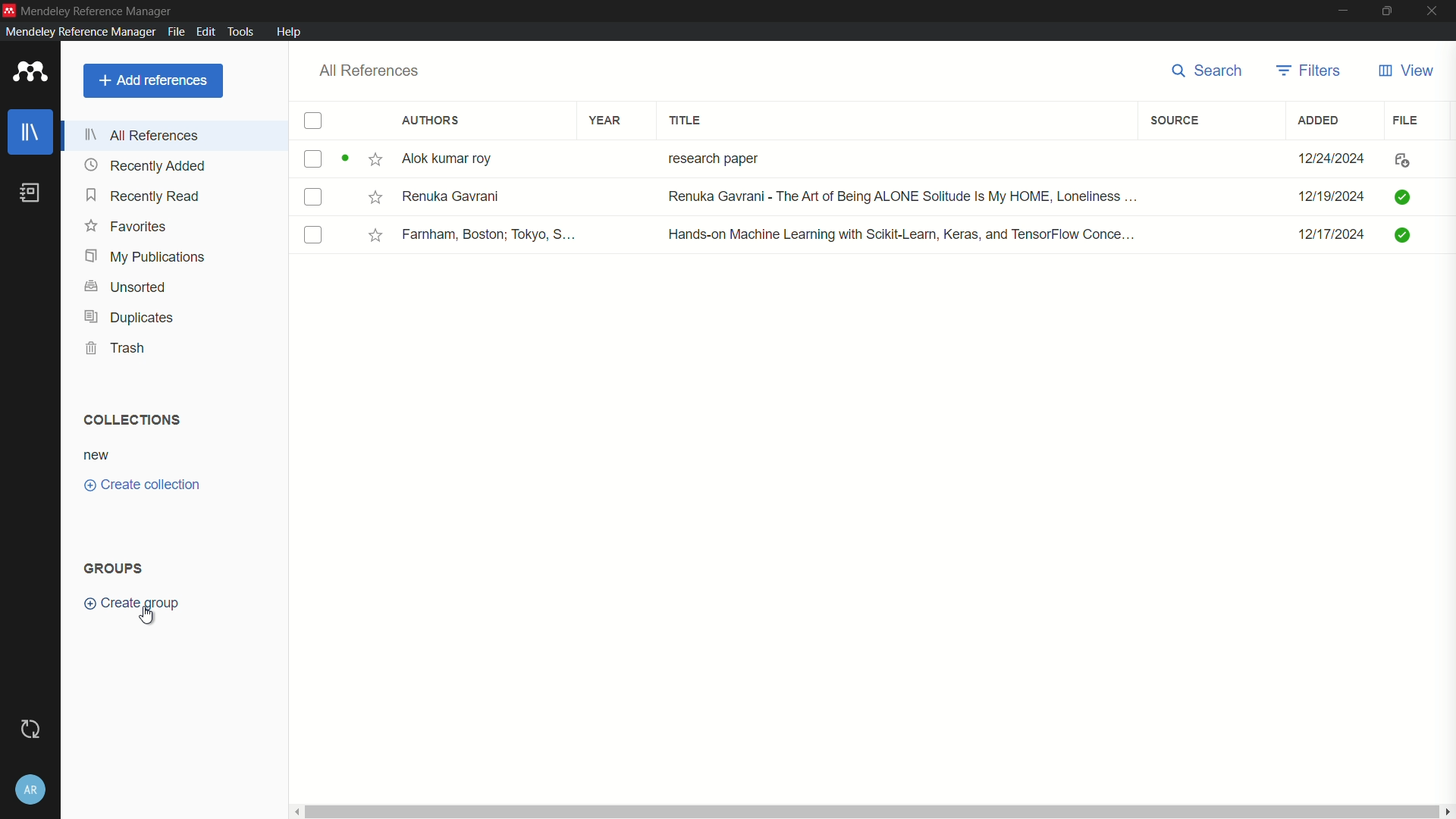 This screenshot has height=819, width=1456. Describe the element at coordinates (315, 199) in the screenshot. I see `book-2` at that location.